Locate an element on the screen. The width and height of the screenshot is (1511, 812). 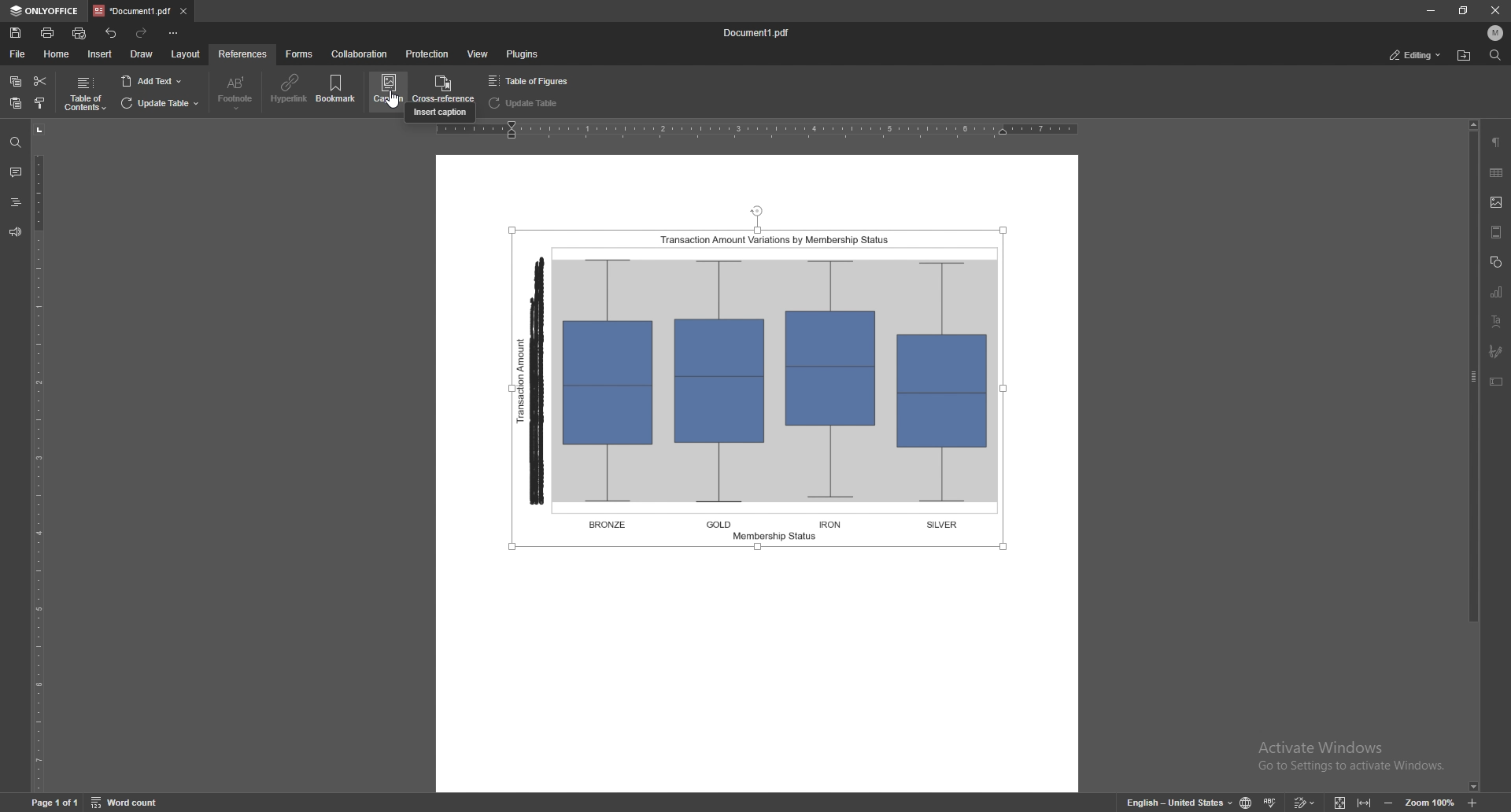
onlyoffice is located at coordinates (46, 10).